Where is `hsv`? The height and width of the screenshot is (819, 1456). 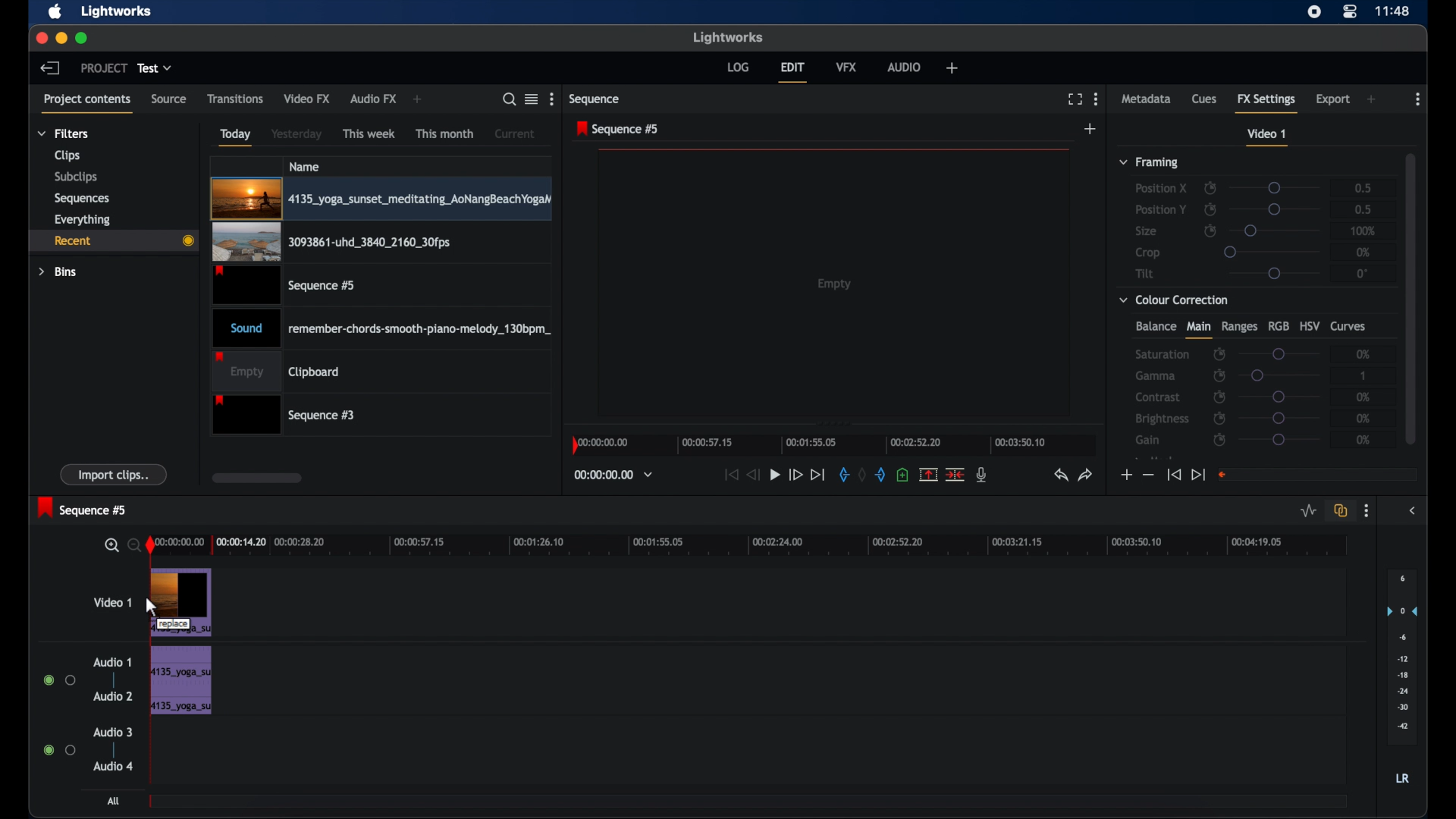
hsv is located at coordinates (1310, 325).